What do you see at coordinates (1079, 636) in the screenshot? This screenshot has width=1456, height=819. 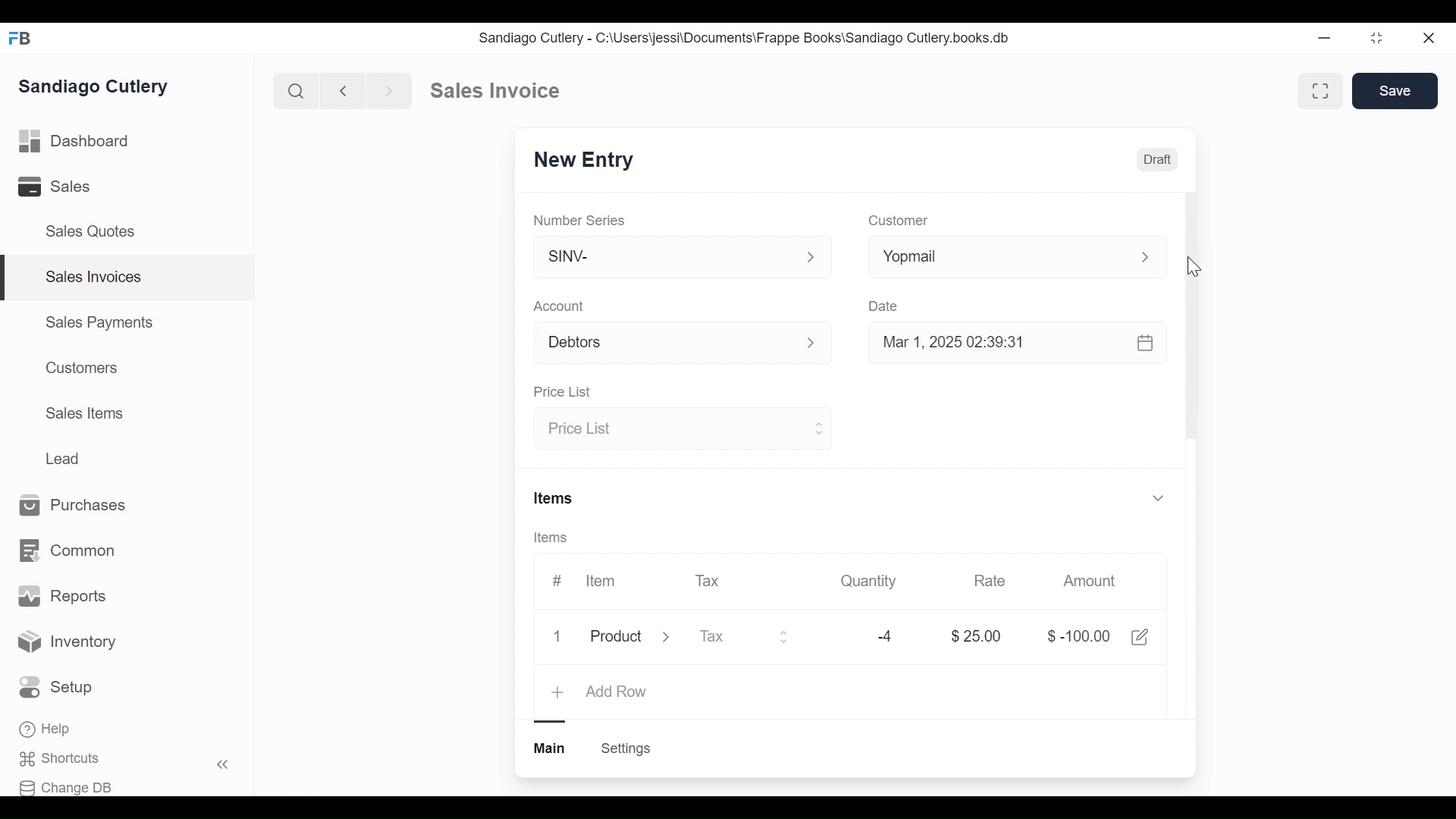 I see `$-100.00` at bounding box center [1079, 636].